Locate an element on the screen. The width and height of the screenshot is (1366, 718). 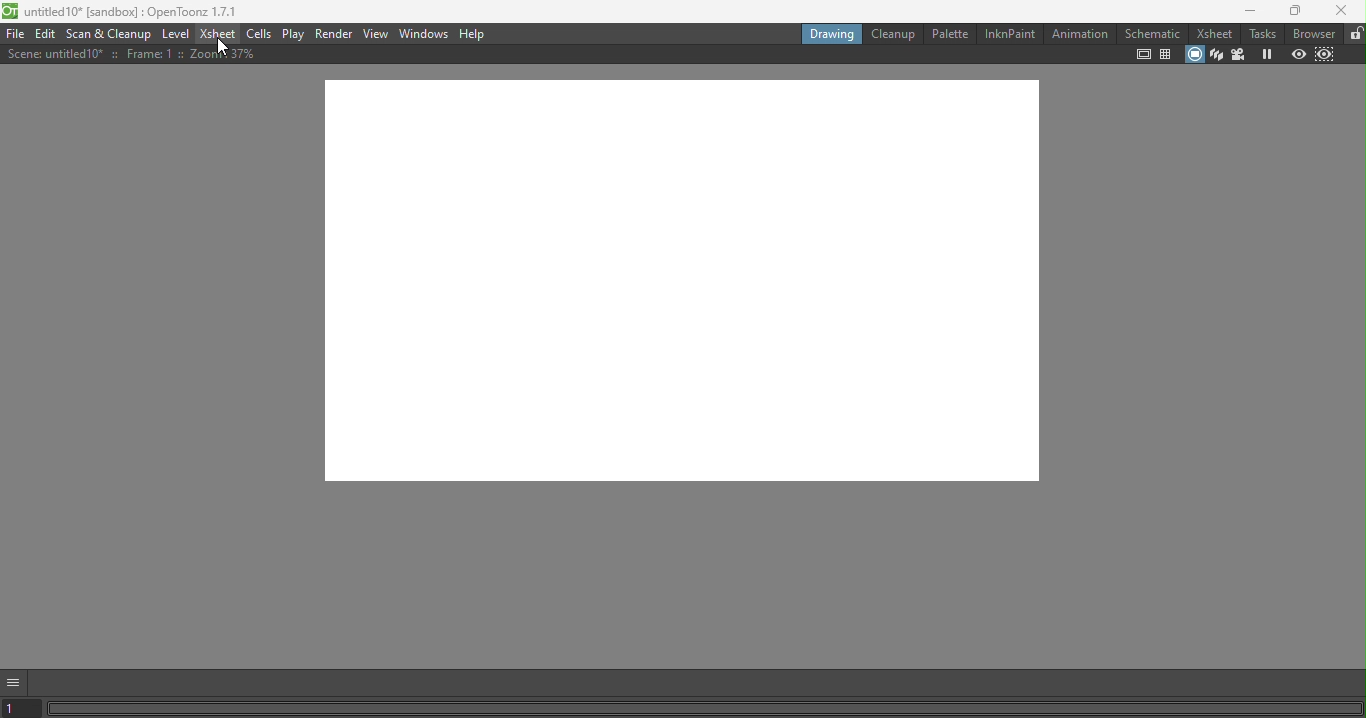
Windows is located at coordinates (422, 34).